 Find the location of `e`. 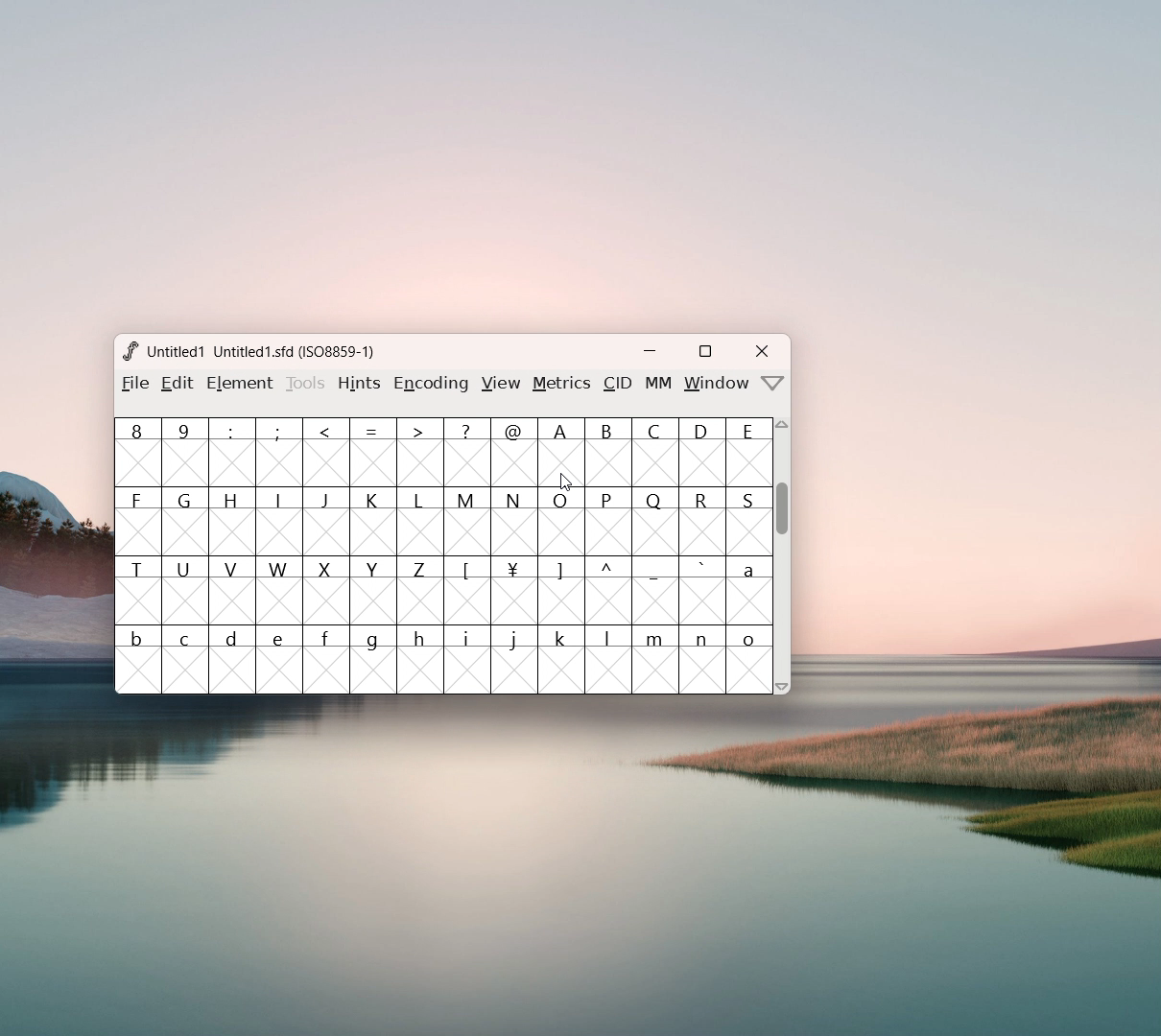

e is located at coordinates (280, 660).